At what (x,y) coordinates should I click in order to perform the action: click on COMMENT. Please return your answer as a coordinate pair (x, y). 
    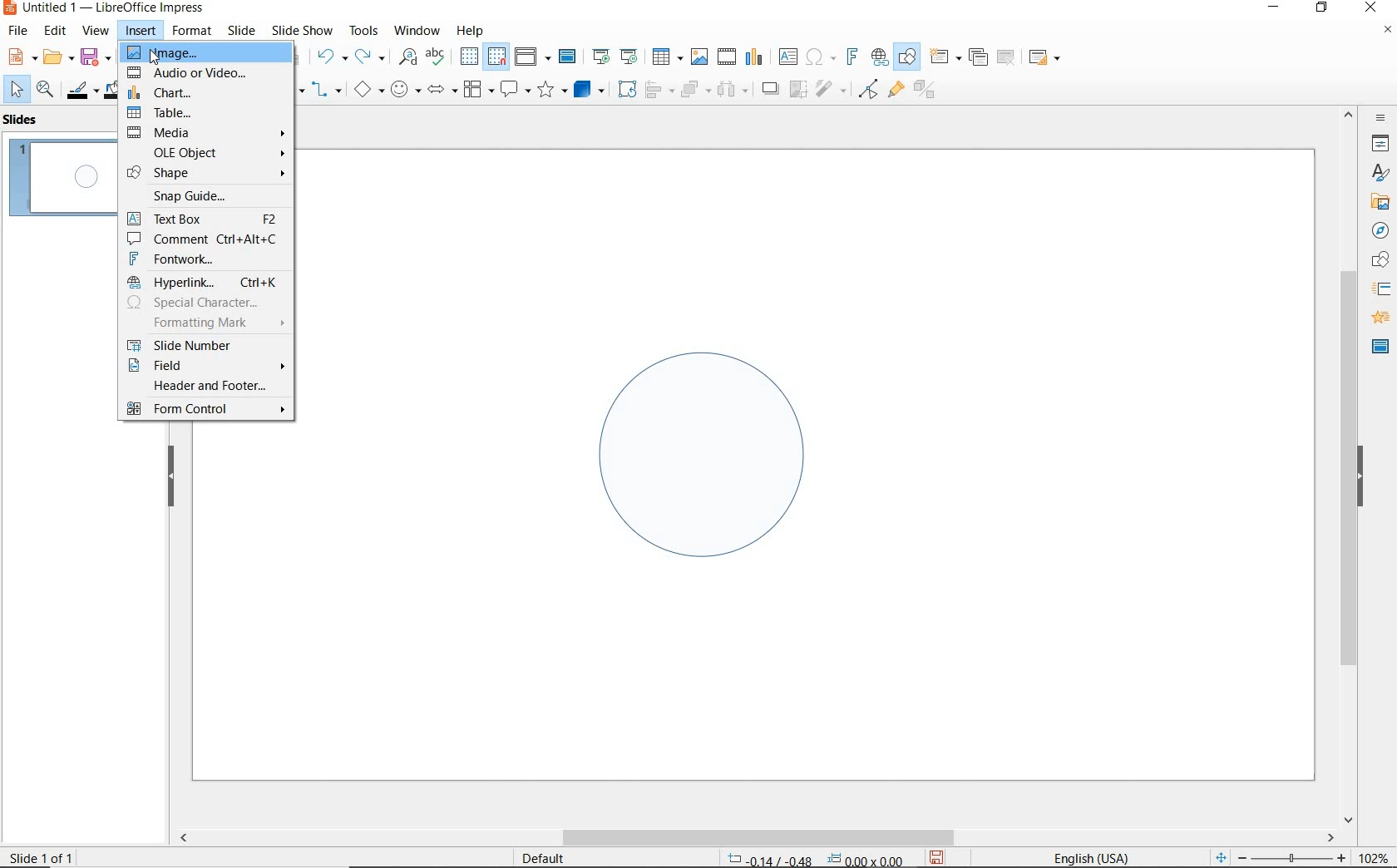
    Looking at the image, I should click on (208, 239).